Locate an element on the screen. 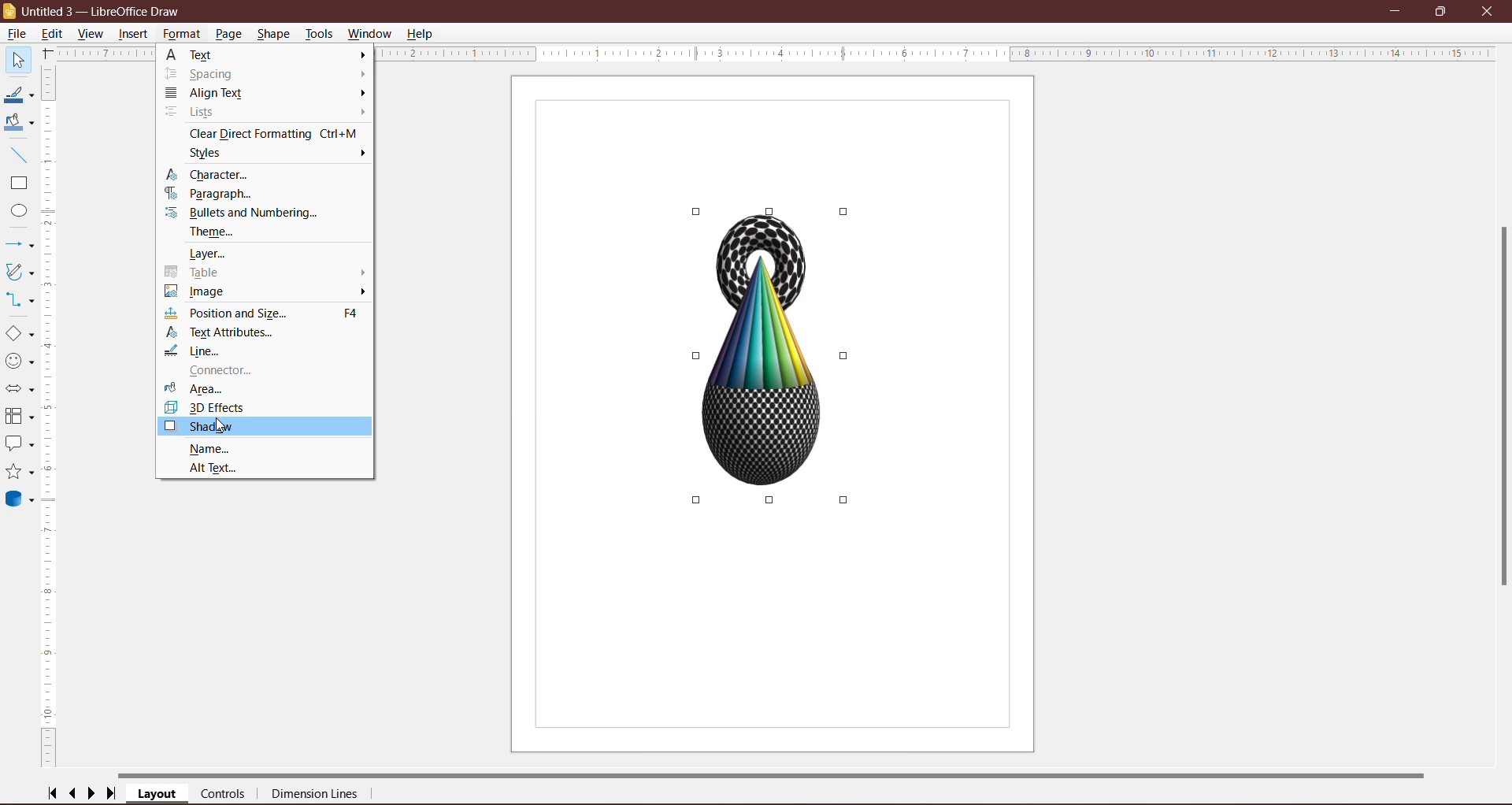 The width and height of the screenshot is (1512, 805). Controls is located at coordinates (223, 794).